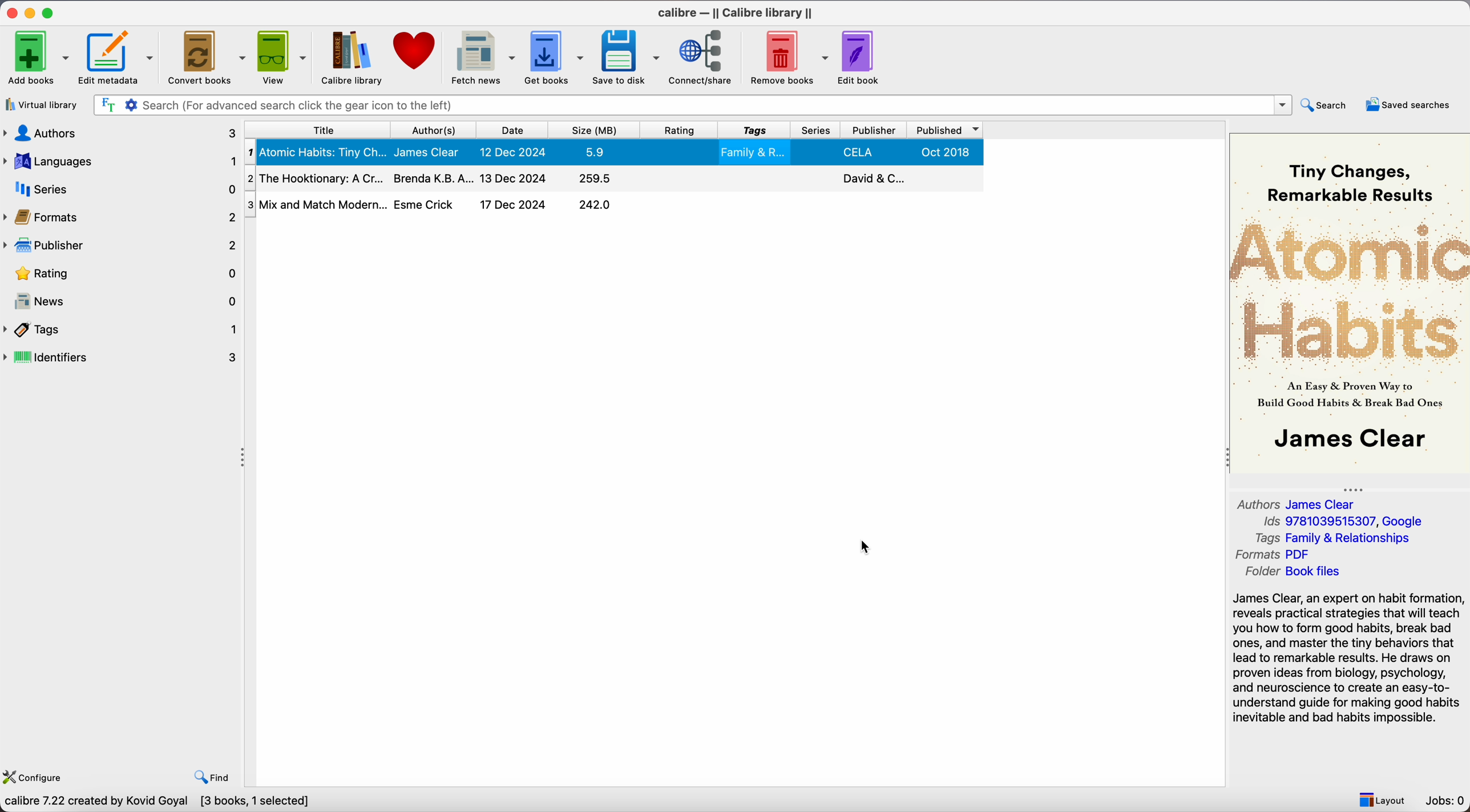 Image resolution: width=1470 pixels, height=812 pixels. Describe the element at coordinates (861, 151) in the screenshot. I see `CELA` at that location.